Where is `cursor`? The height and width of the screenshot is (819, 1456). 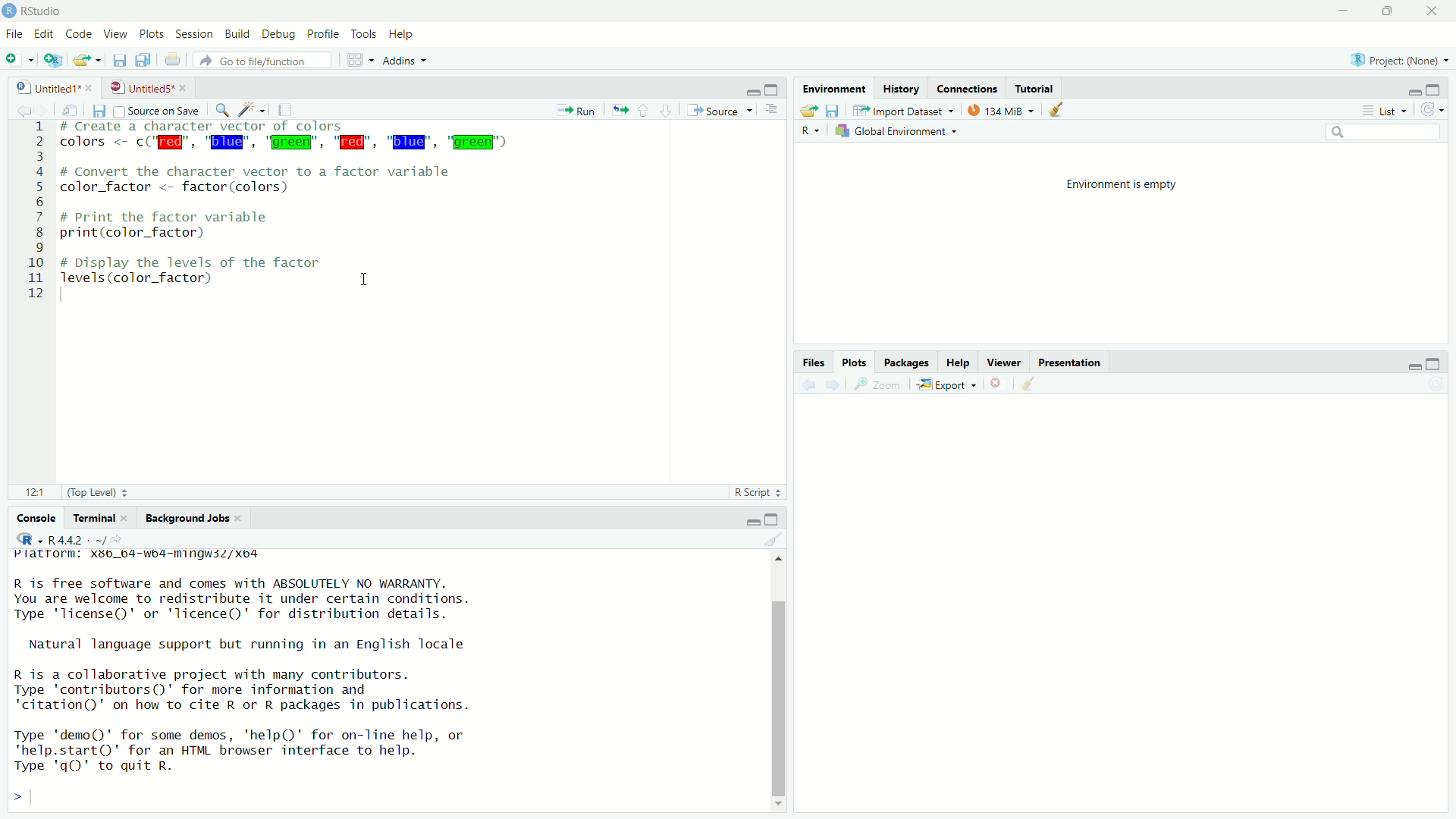
cursor is located at coordinates (367, 279).